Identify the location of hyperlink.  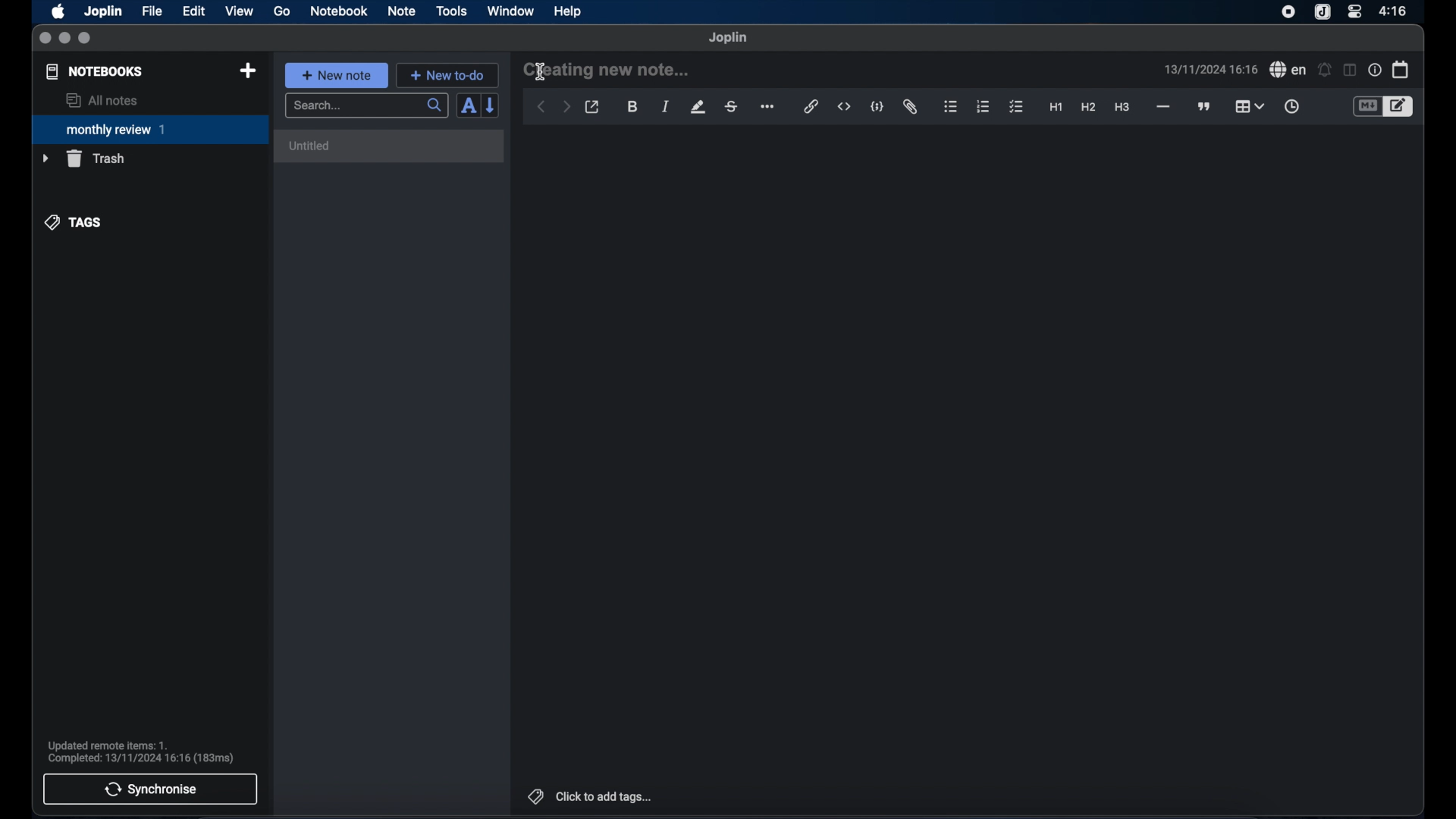
(811, 106).